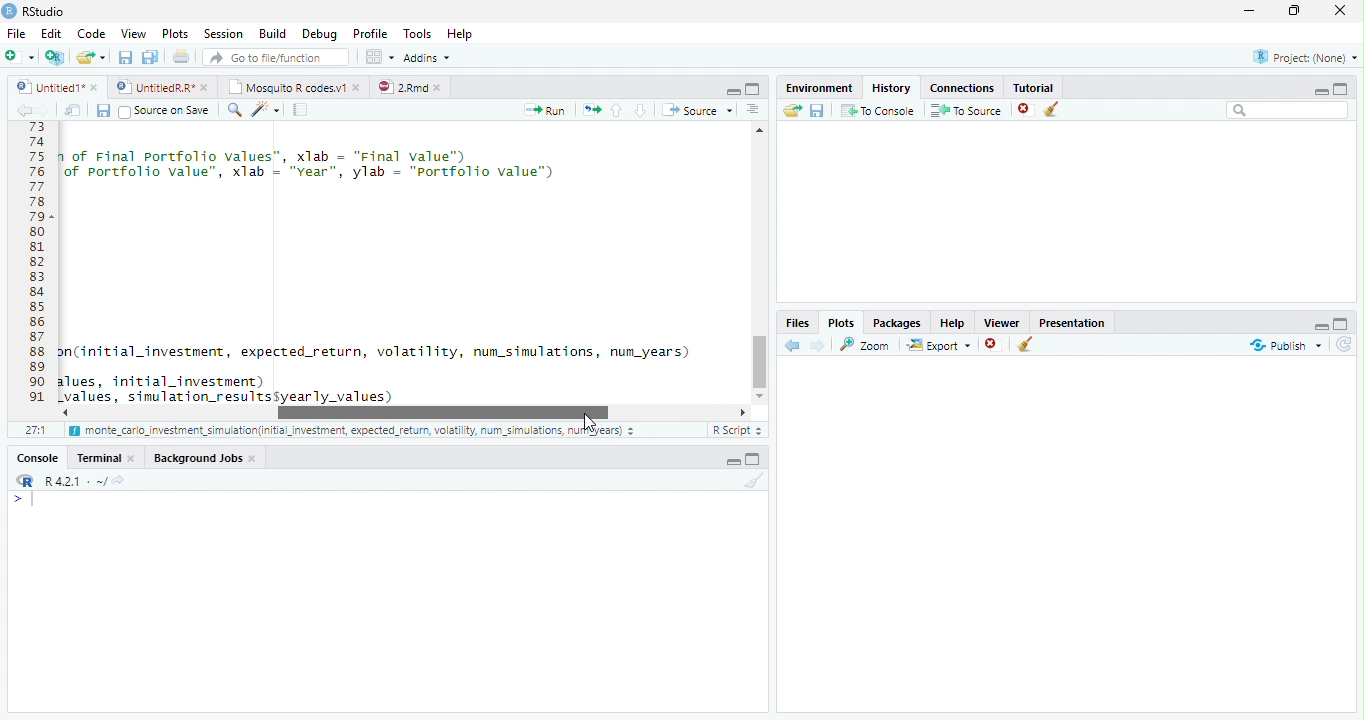 This screenshot has width=1364, height=720. Describe the element at coordinates (44, 110) in the screenshot. I see `next source location` at that location.